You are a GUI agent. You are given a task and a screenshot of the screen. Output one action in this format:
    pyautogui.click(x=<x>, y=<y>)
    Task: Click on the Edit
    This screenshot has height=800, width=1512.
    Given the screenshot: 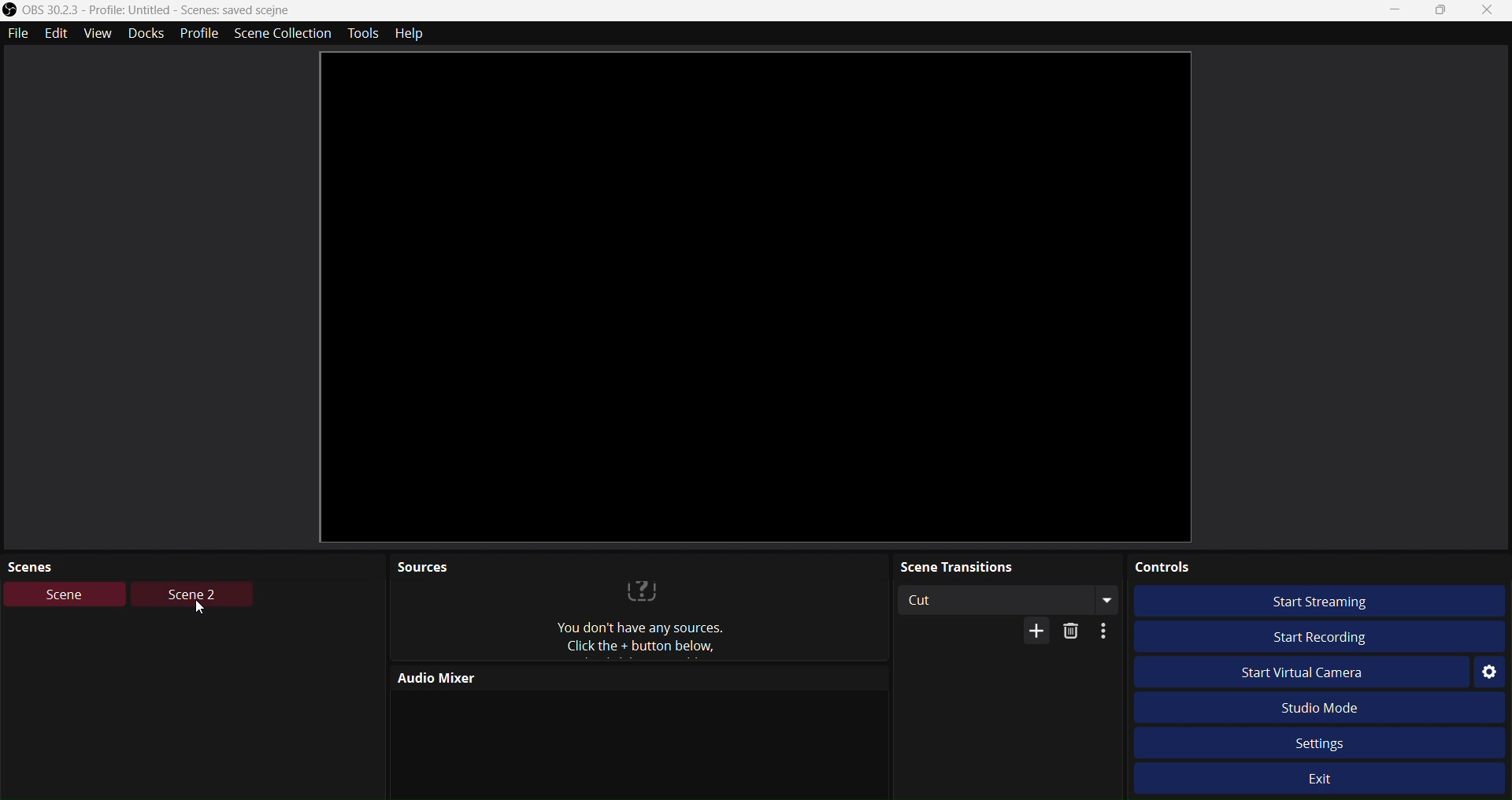 What is the action you would take?
    pyautogui.click(x=59, y=35)
    